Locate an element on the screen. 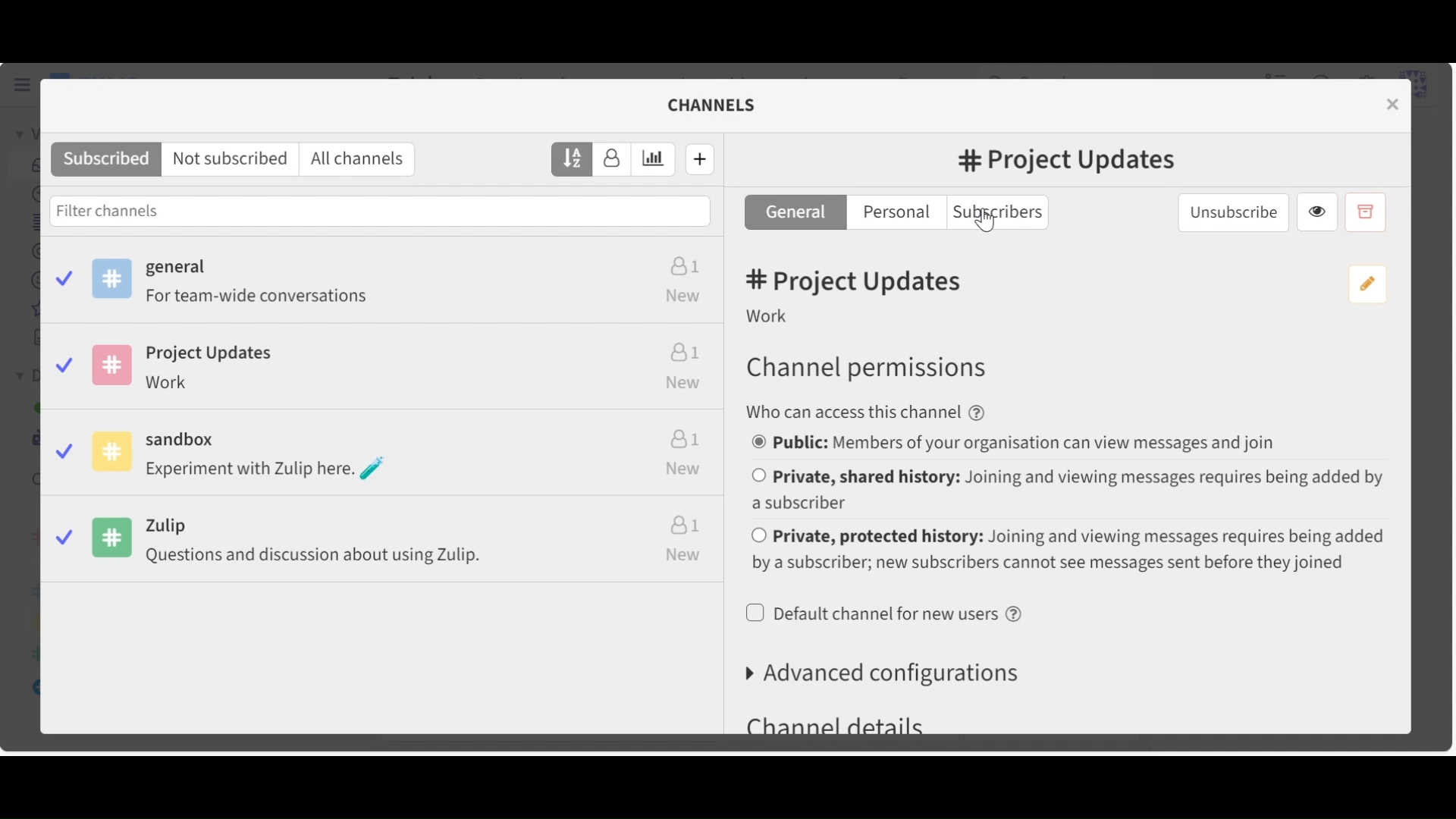 The width and height of the screenshot is (1456, 819). Sort by subscribers is located at coordinates (615, 159).